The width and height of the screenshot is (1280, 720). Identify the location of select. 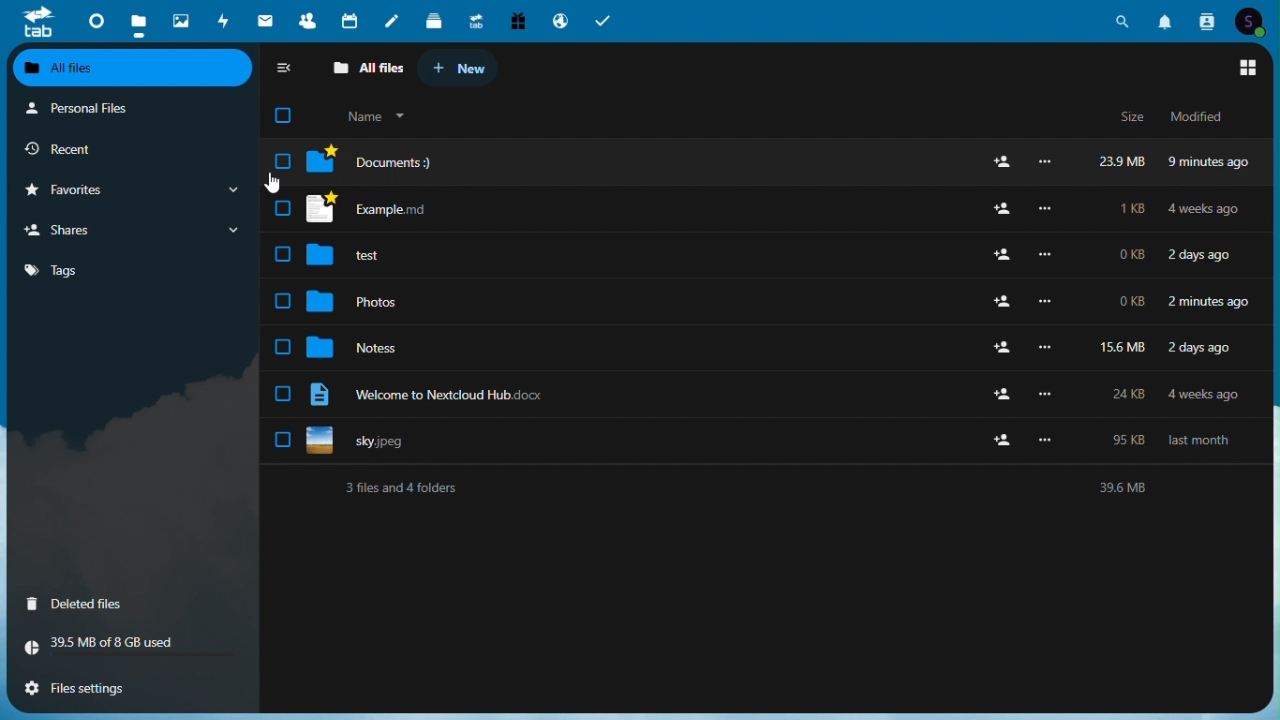
(281, 161).